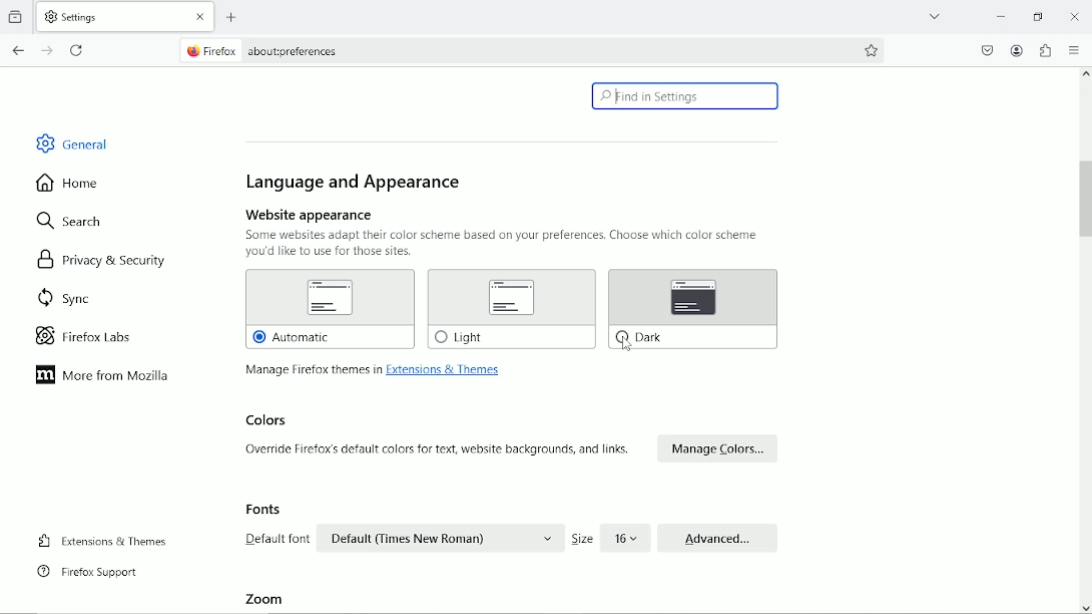 This screenshot has height=614, width=1092. Describe the element at coordinates (72, 221) in the screenshot. I see `search` at that location.